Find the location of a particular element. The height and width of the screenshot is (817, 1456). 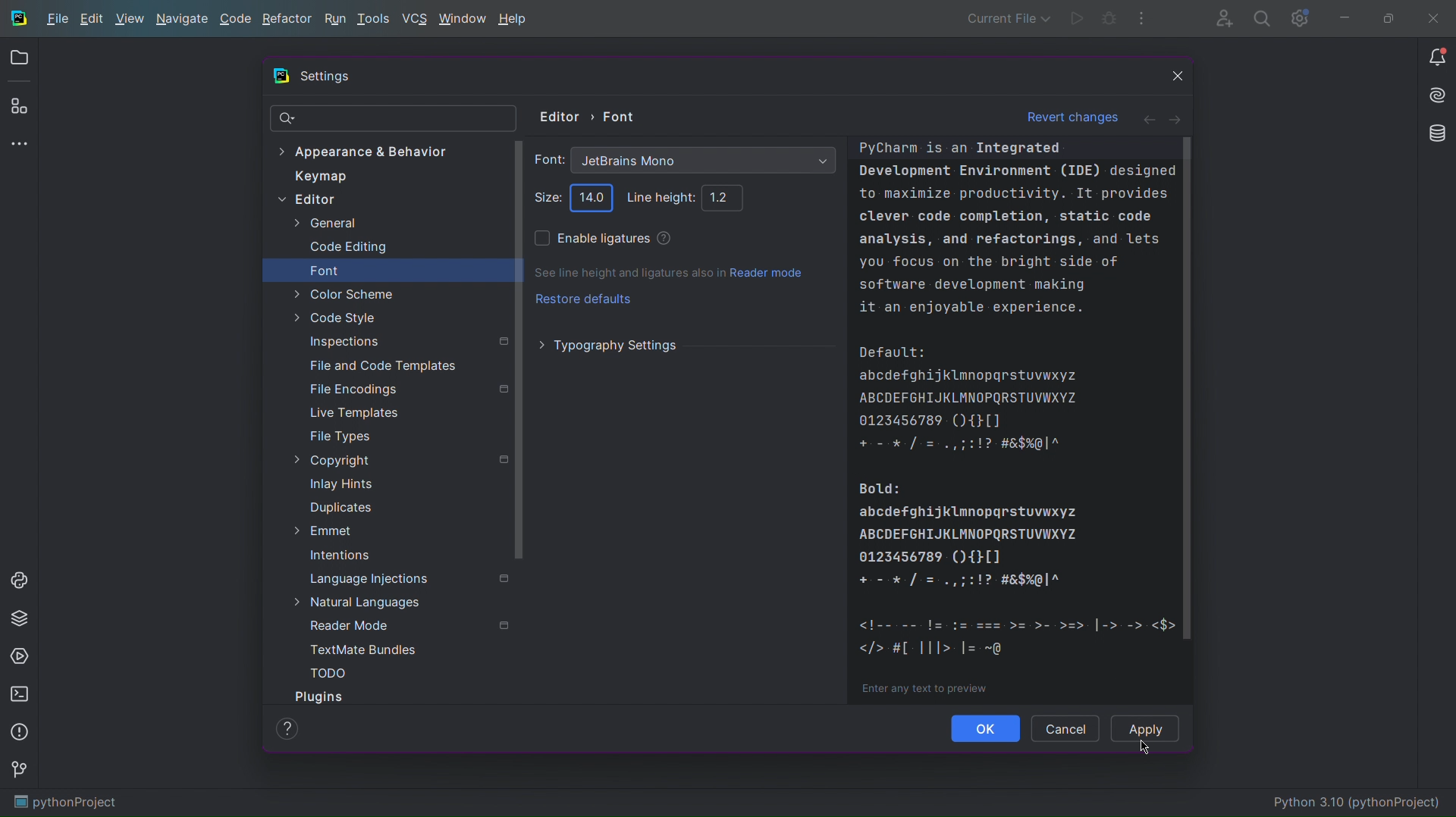

Back is located at coordinates (1147, 118).